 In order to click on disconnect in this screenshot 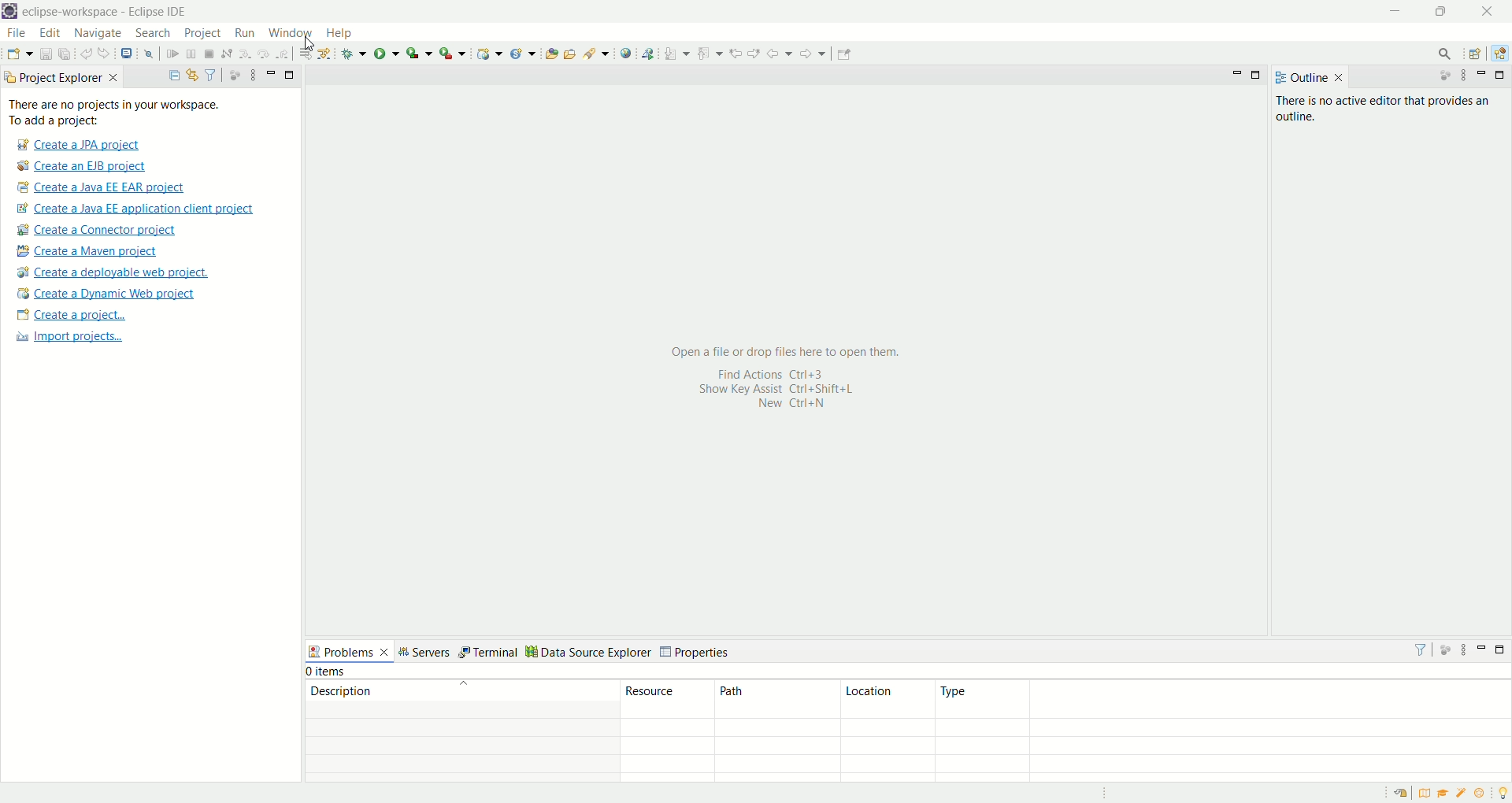, I will do `click(225, 53)`.